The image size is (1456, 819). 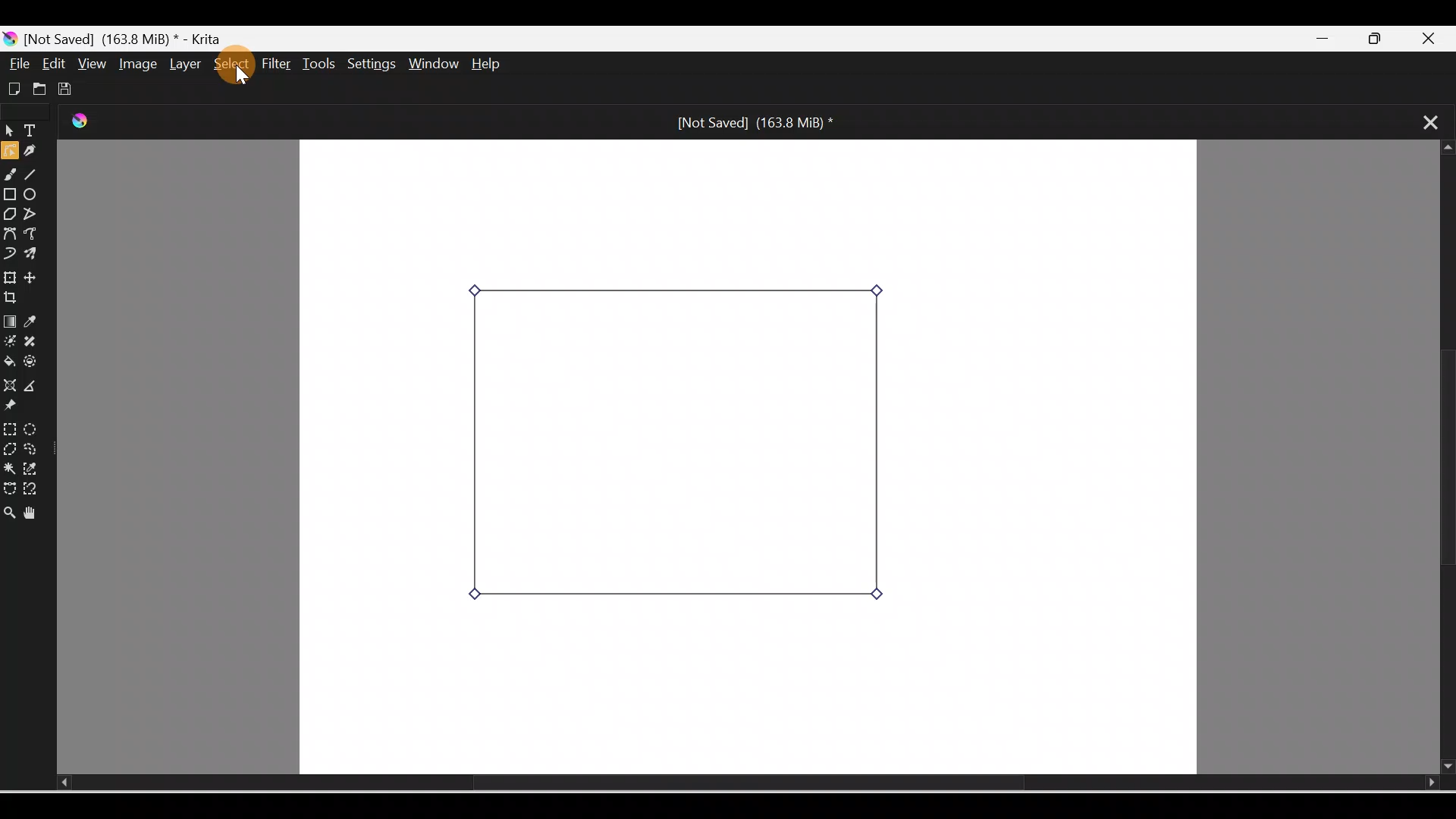 I want to click on Help, so click(x=499, y=65).